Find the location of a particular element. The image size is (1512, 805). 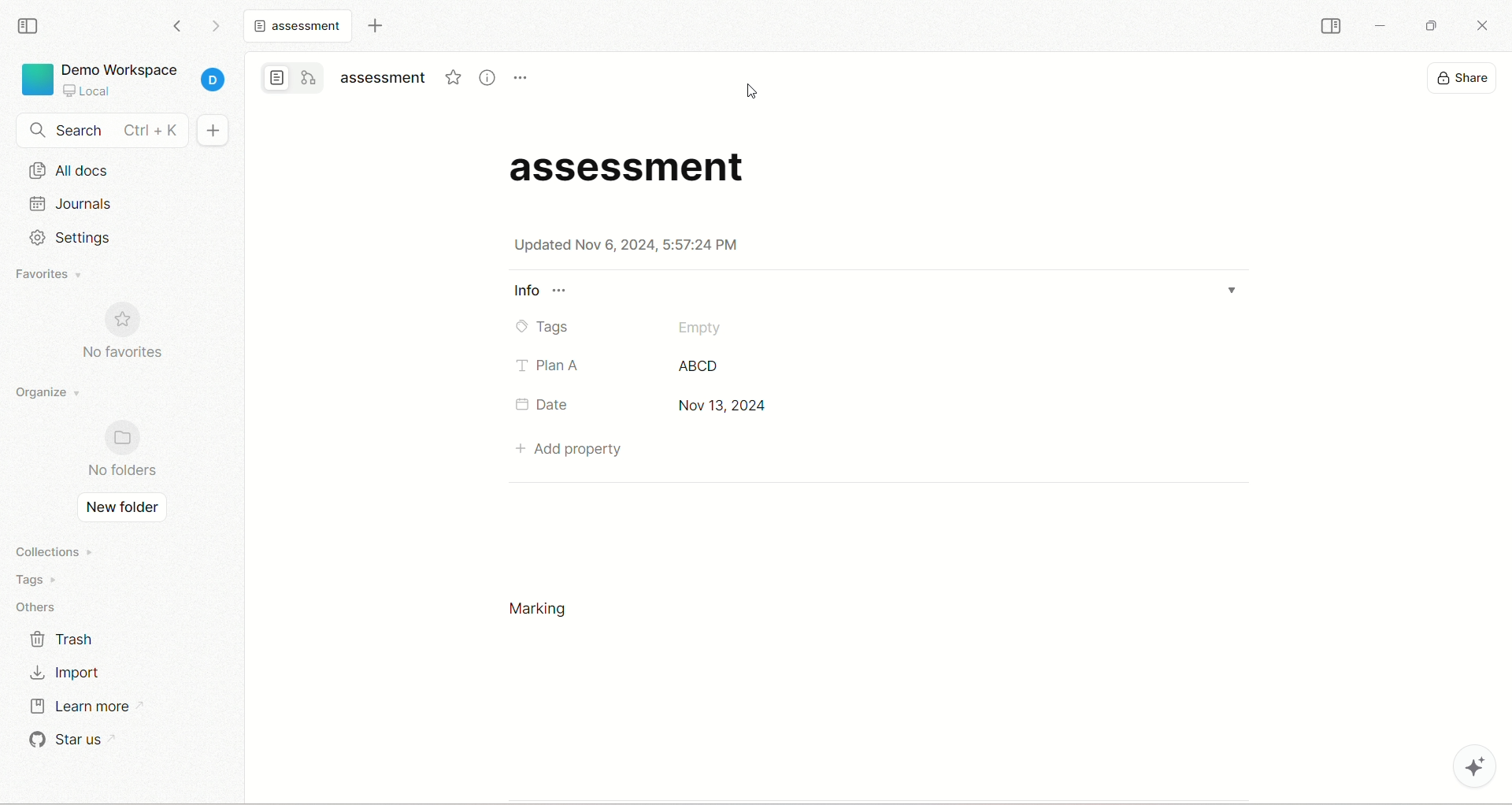

new doc is located at coordinates (211, 130).